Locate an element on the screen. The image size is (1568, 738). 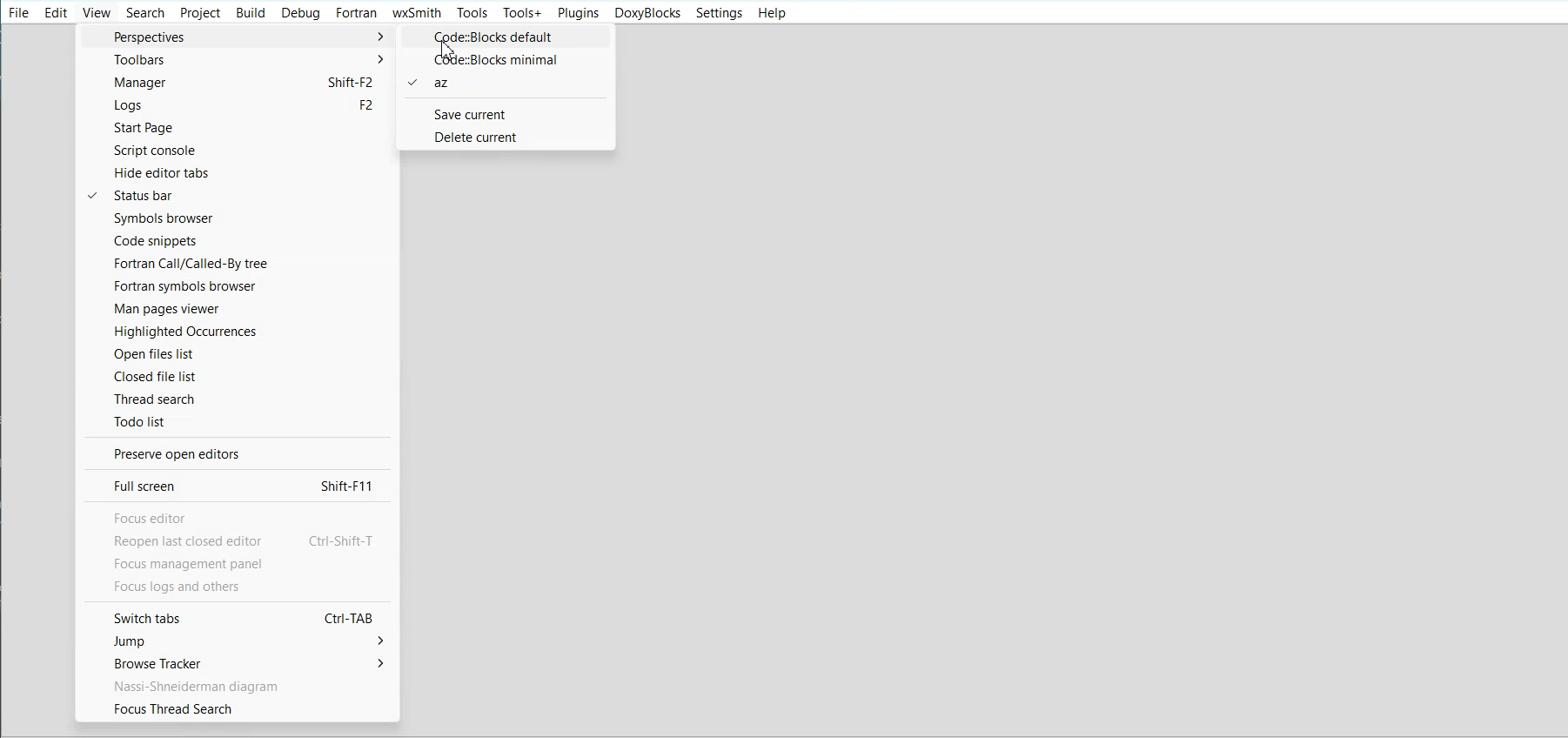
Fortran symbols browser is located at coordinates (237, 285).